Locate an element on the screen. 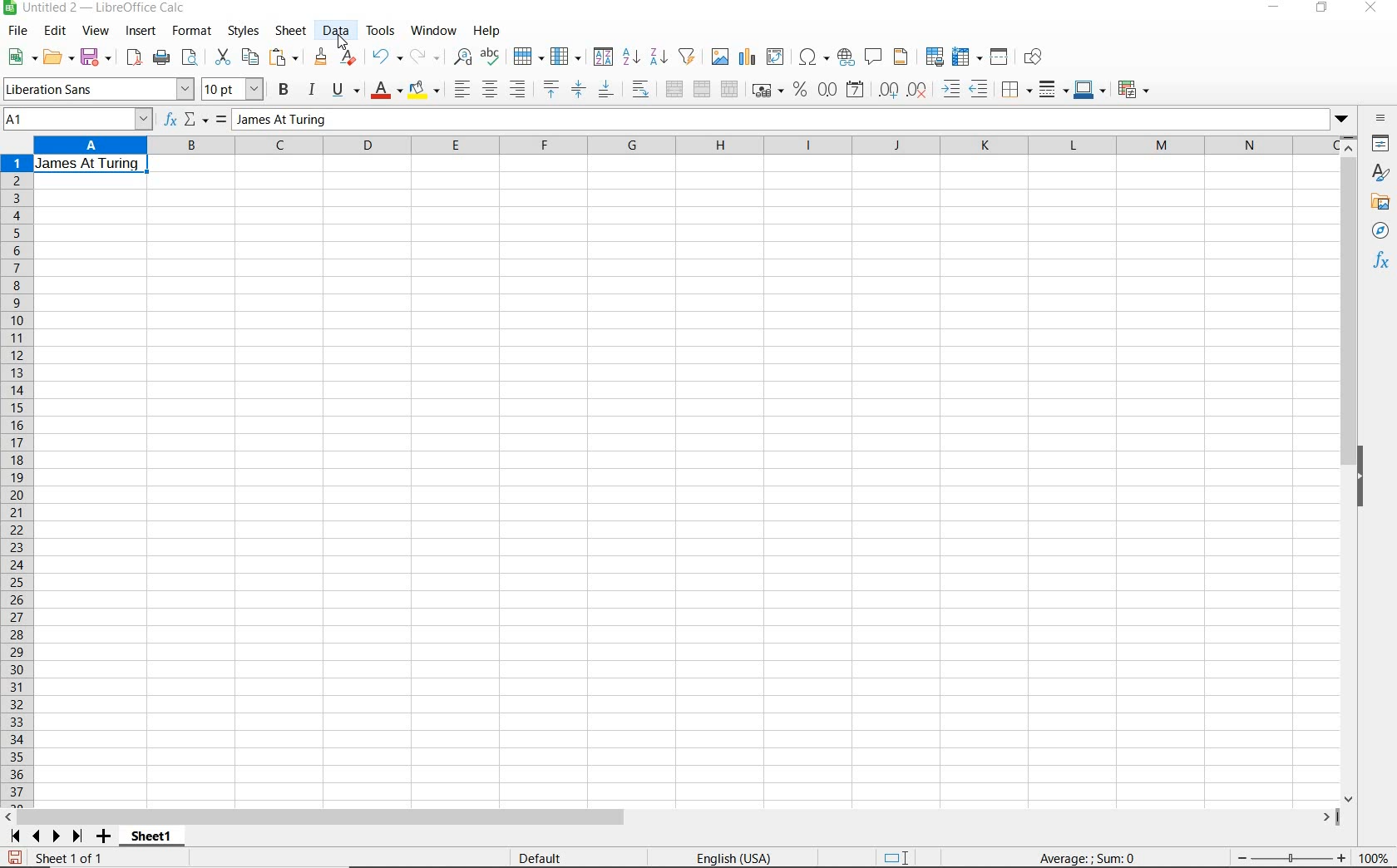  hide is located at coordinates (1365, 476).